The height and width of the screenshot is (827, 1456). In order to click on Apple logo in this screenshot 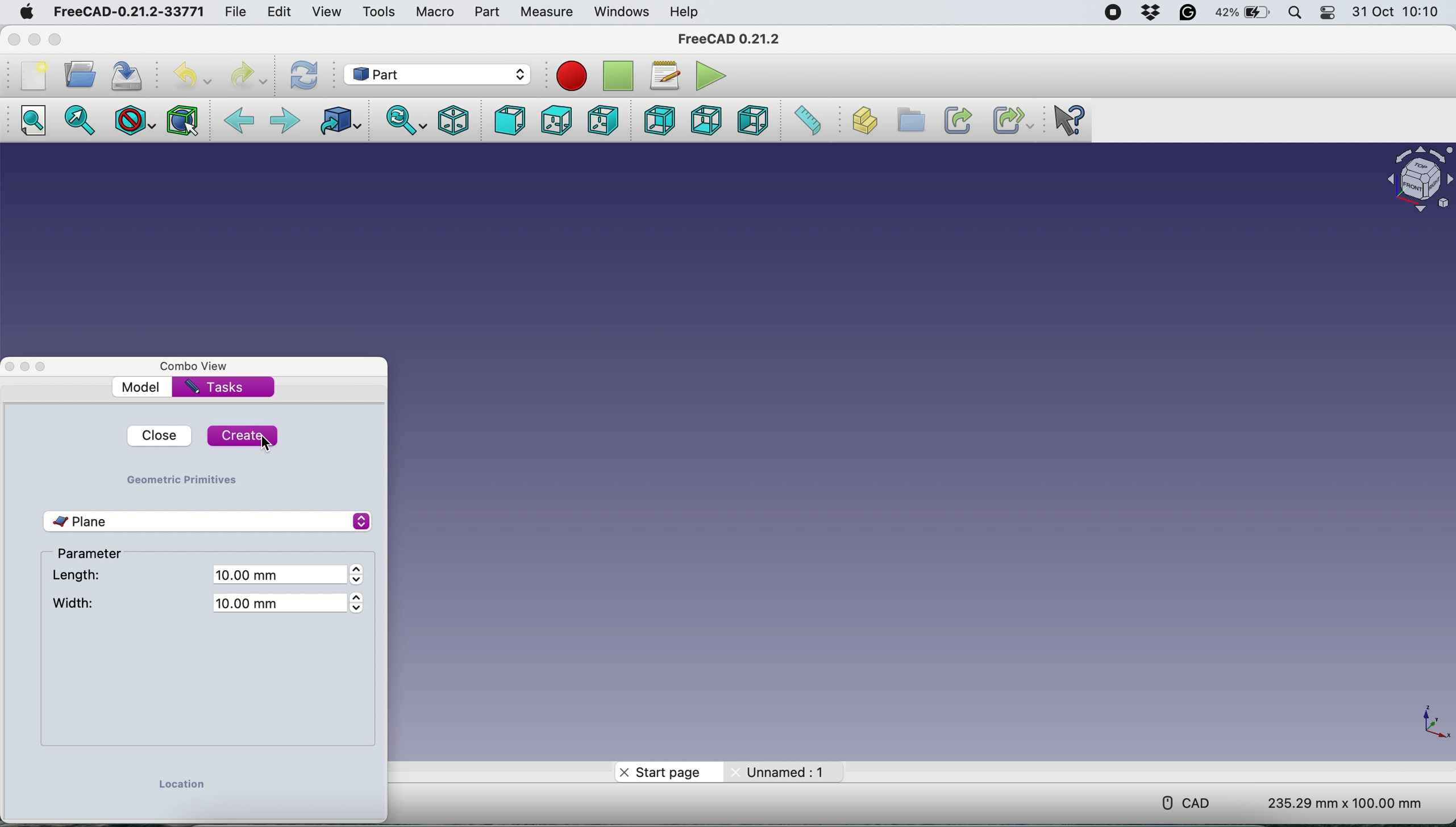, I will do `click(27, 12)`.